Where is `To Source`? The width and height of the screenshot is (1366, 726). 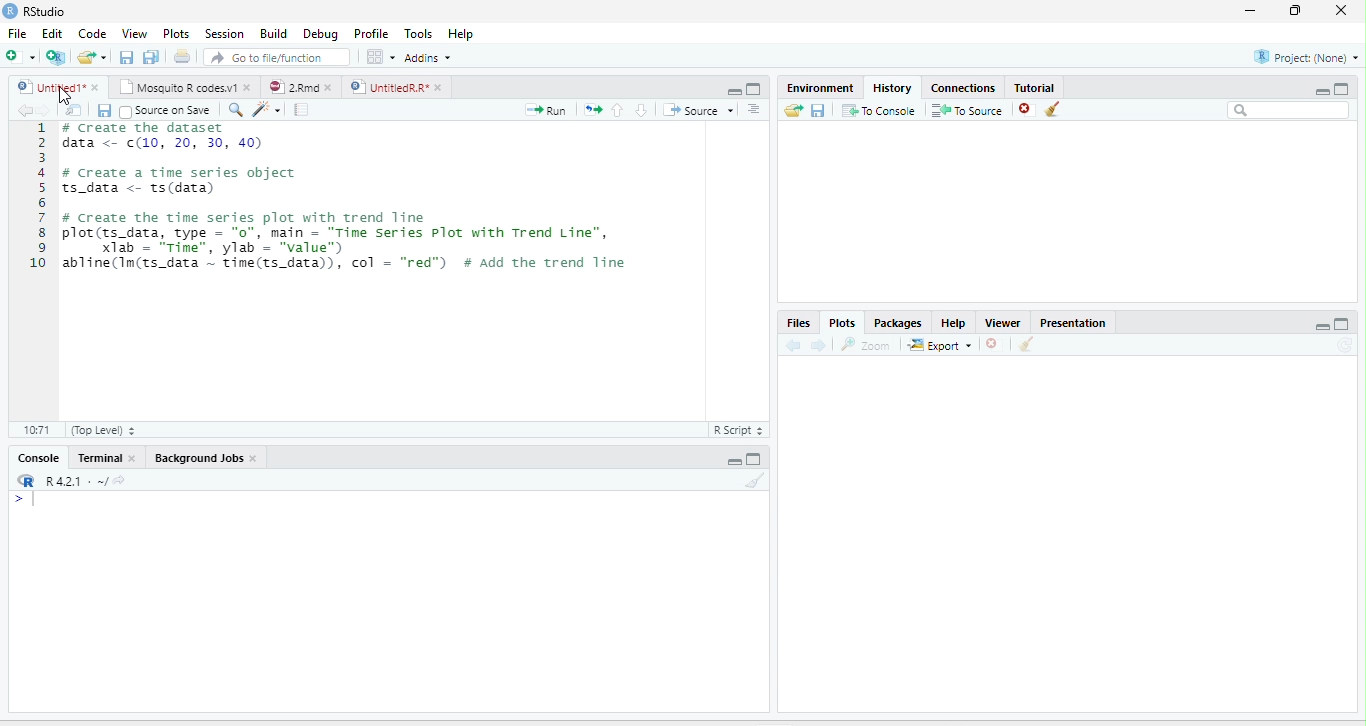 To Source is located at coordinates (966, 110).